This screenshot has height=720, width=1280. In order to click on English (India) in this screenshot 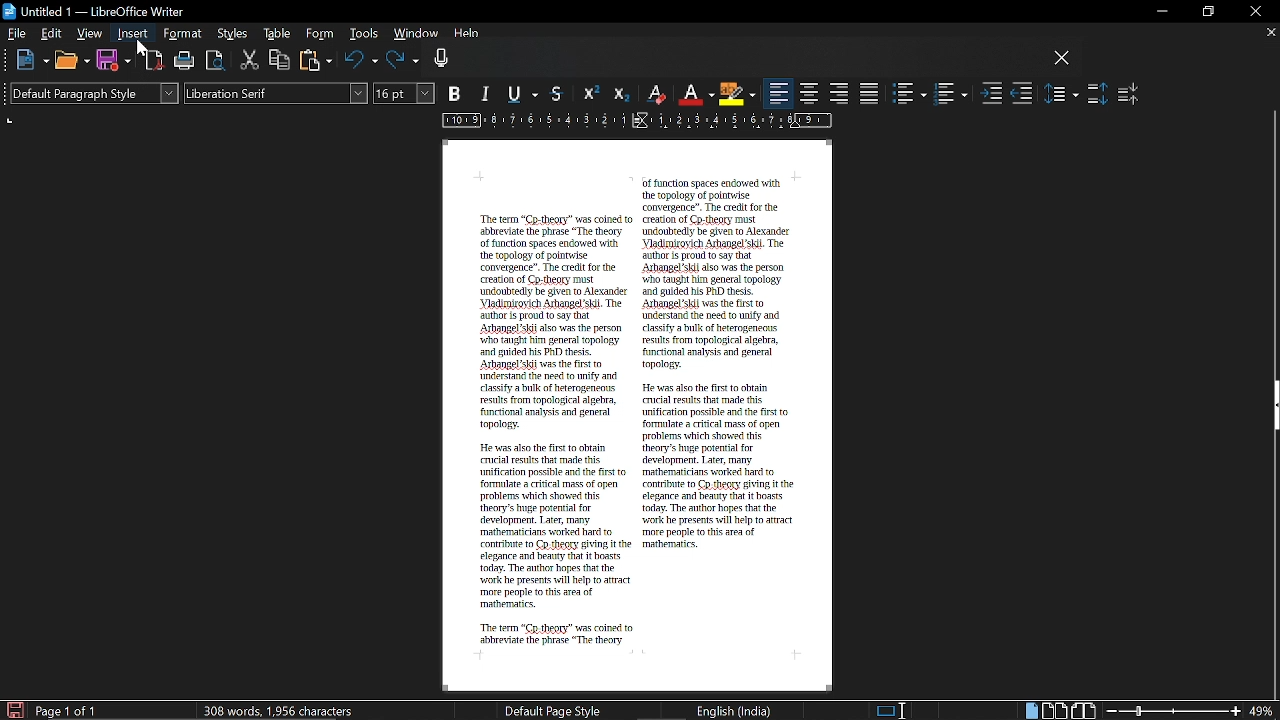, I will do `click(735, 710)`.